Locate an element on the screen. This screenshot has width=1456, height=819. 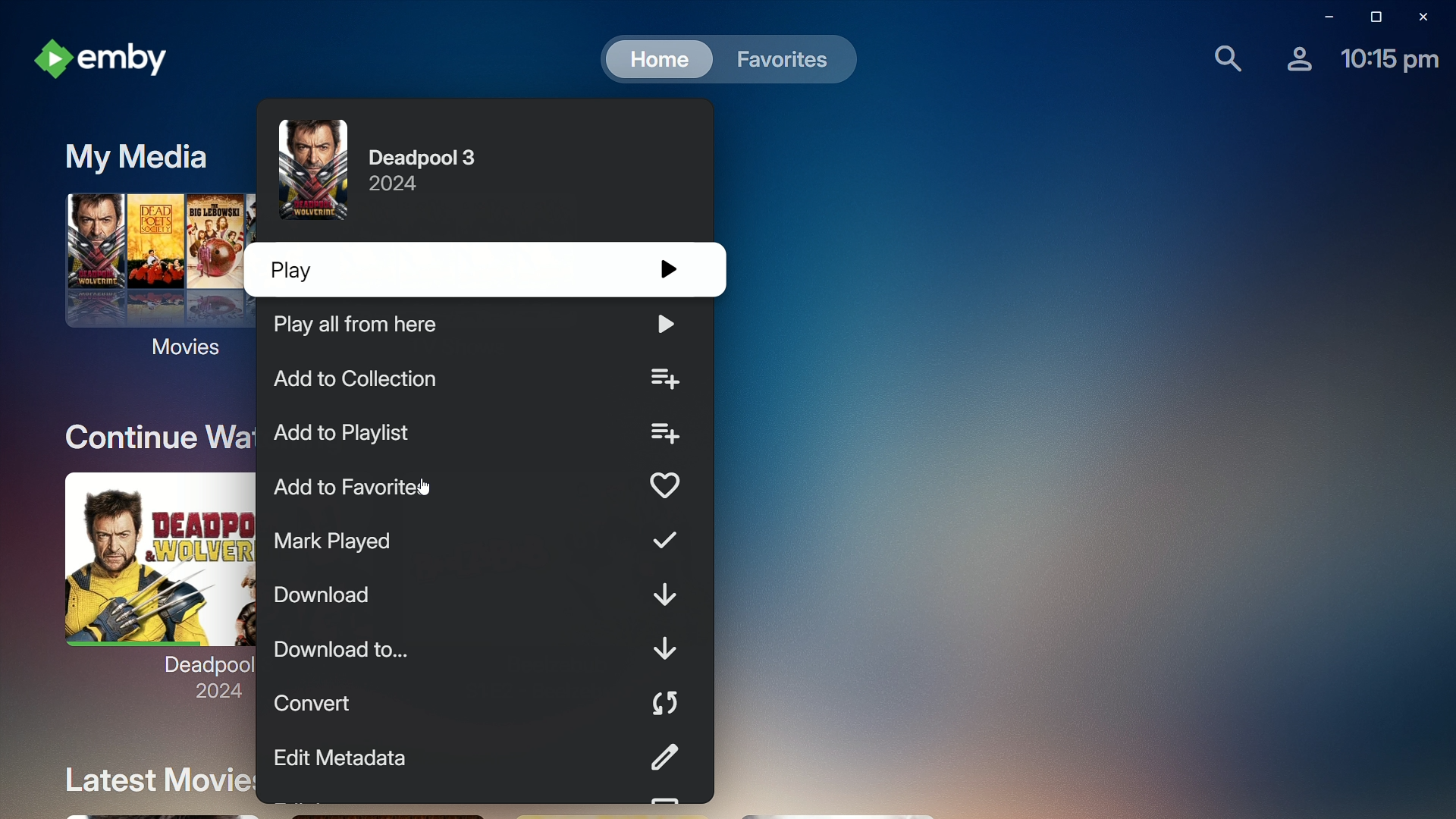
Download is located at coordinates (482, 596).